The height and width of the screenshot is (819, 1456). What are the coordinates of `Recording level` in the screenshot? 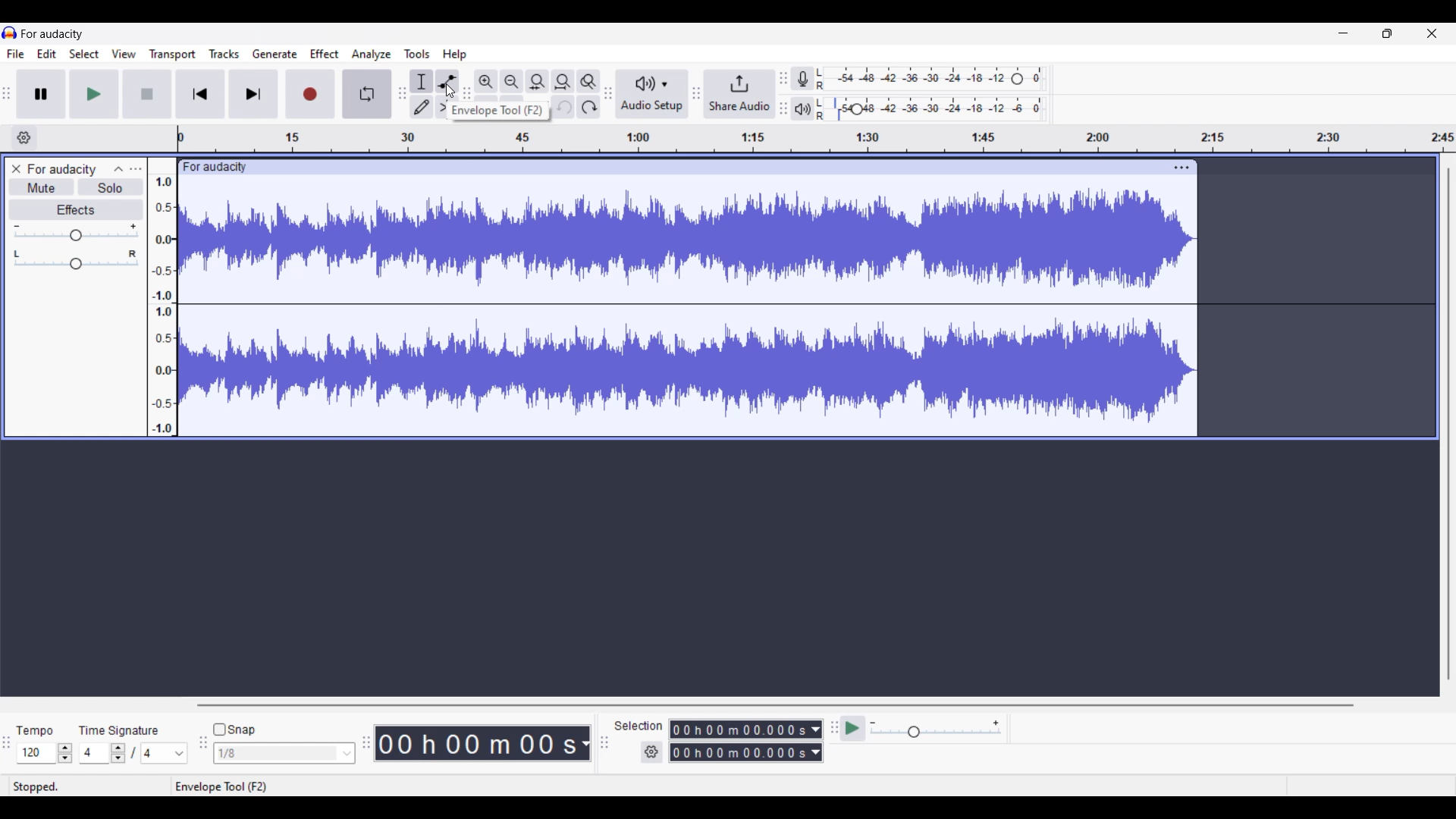 It's located at (932, 79).